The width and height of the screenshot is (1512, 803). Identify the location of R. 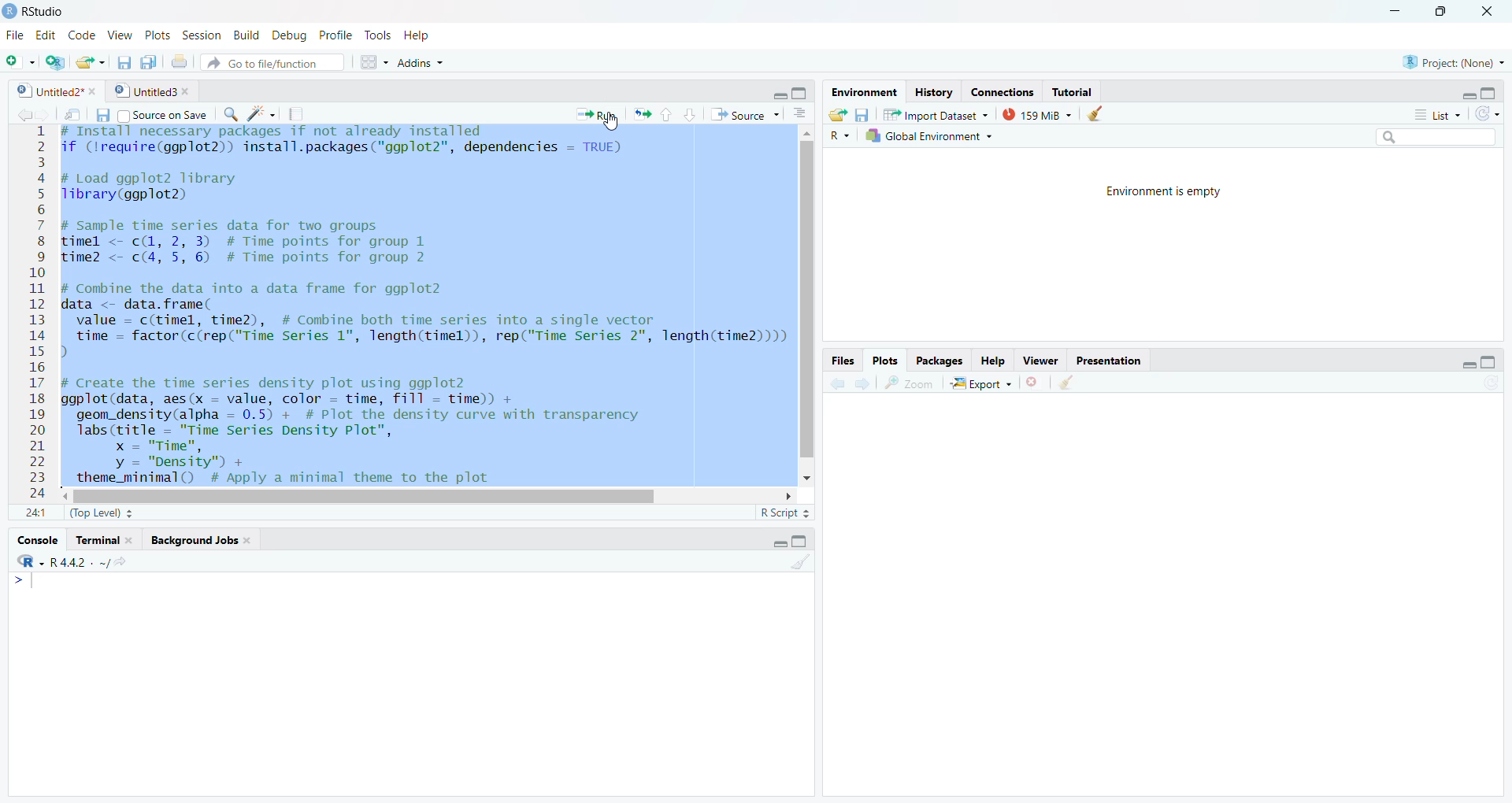
(840, 136).